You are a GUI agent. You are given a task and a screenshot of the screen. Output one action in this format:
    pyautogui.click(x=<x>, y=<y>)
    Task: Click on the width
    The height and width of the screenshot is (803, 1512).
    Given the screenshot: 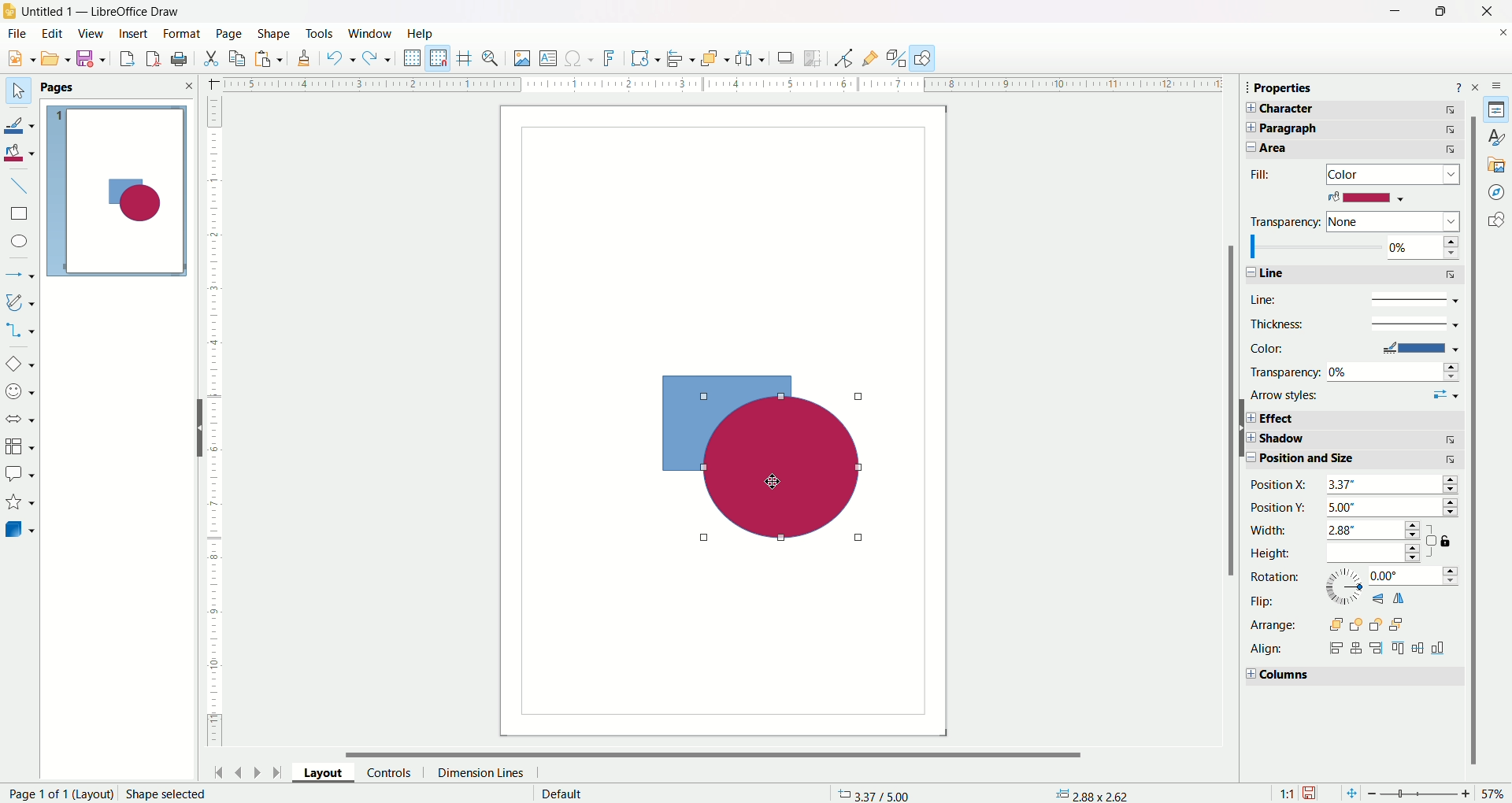 What is the action you would take?
    pyautogui.click(x=1336, y=531)
    